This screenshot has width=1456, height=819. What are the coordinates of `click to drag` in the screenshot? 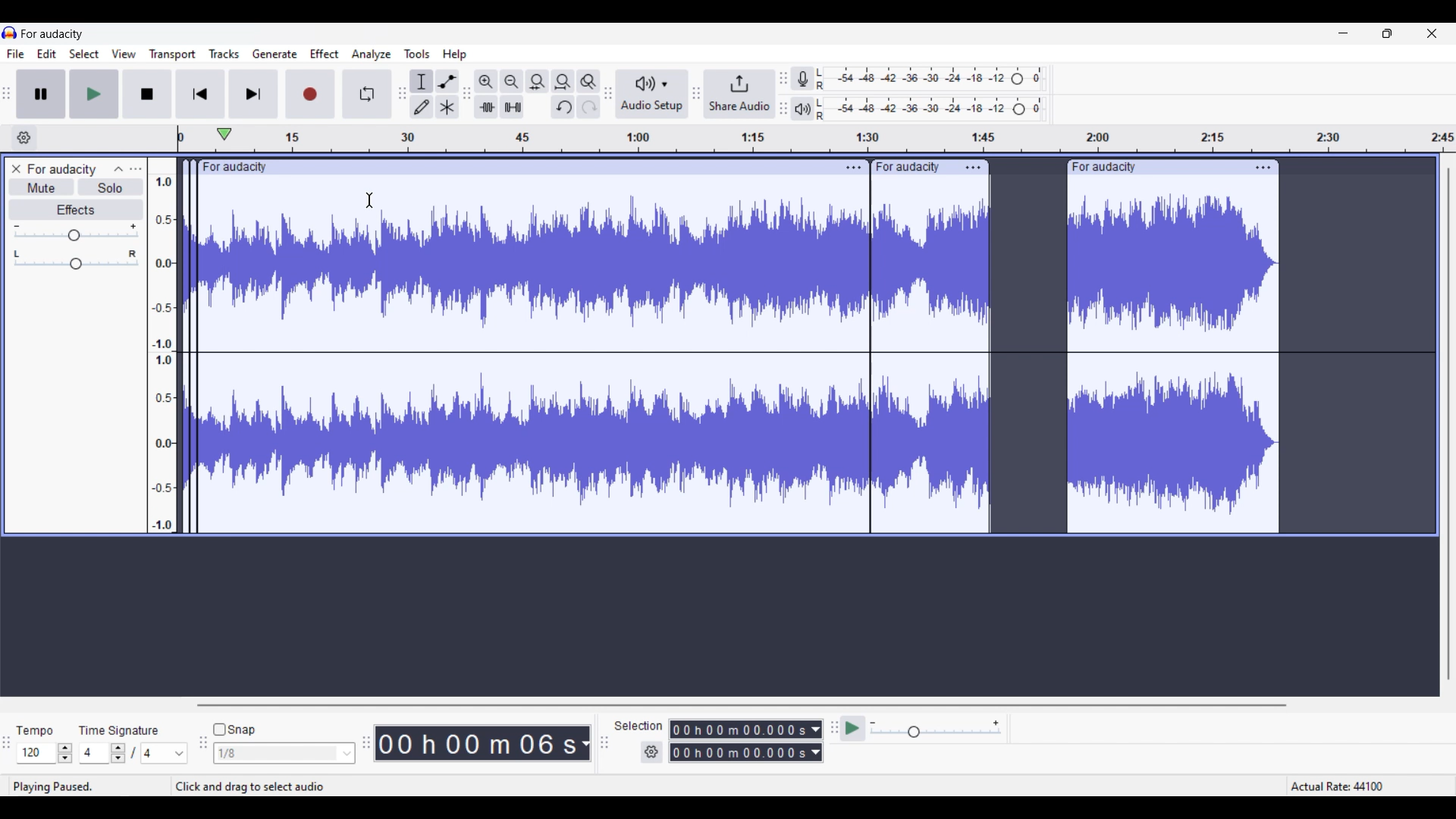 It's located at (913, 166).